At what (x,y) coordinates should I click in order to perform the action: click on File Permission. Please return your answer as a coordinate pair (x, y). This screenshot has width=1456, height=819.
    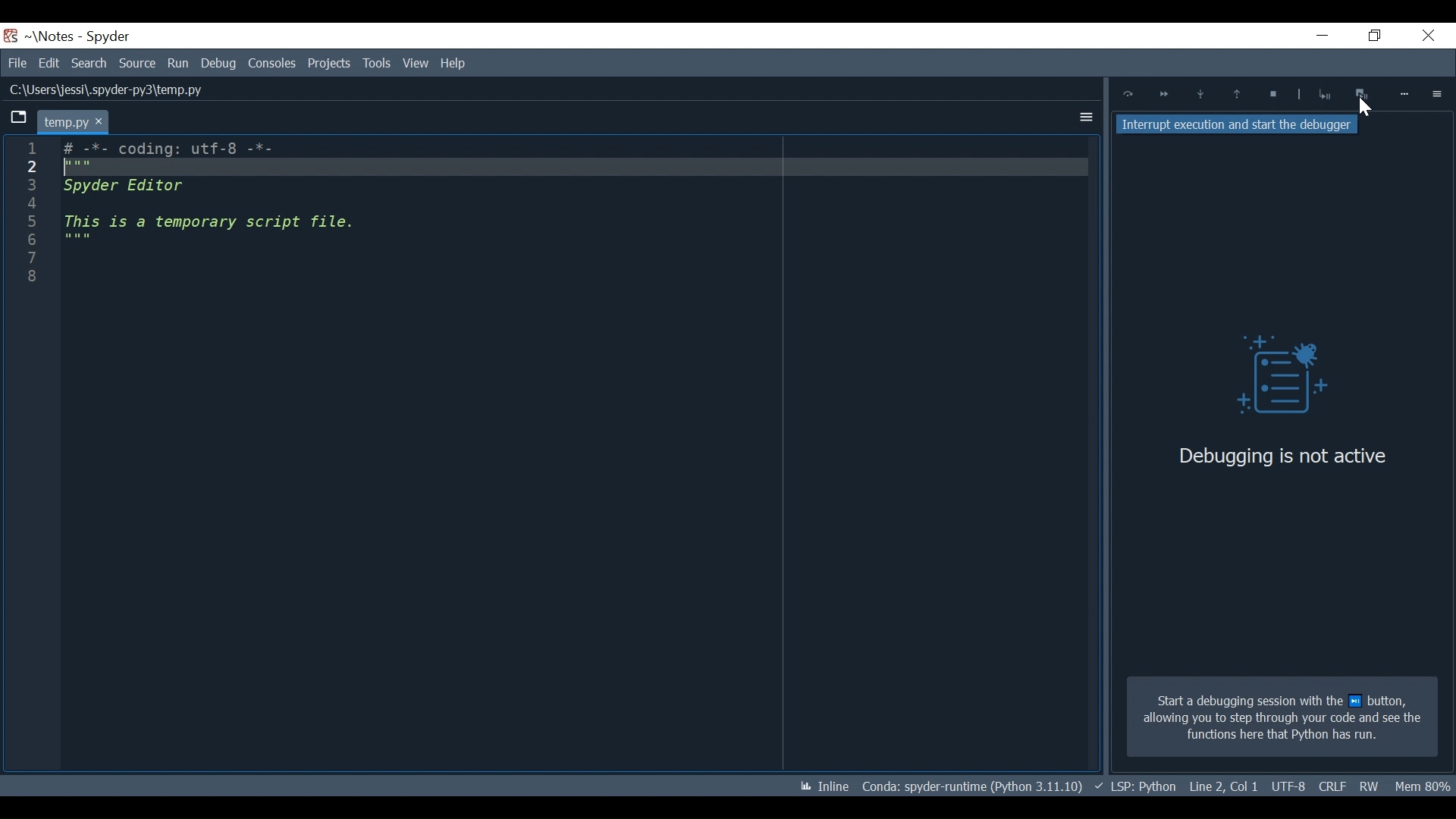
    Looking at the image, I should click on (1370, 786).